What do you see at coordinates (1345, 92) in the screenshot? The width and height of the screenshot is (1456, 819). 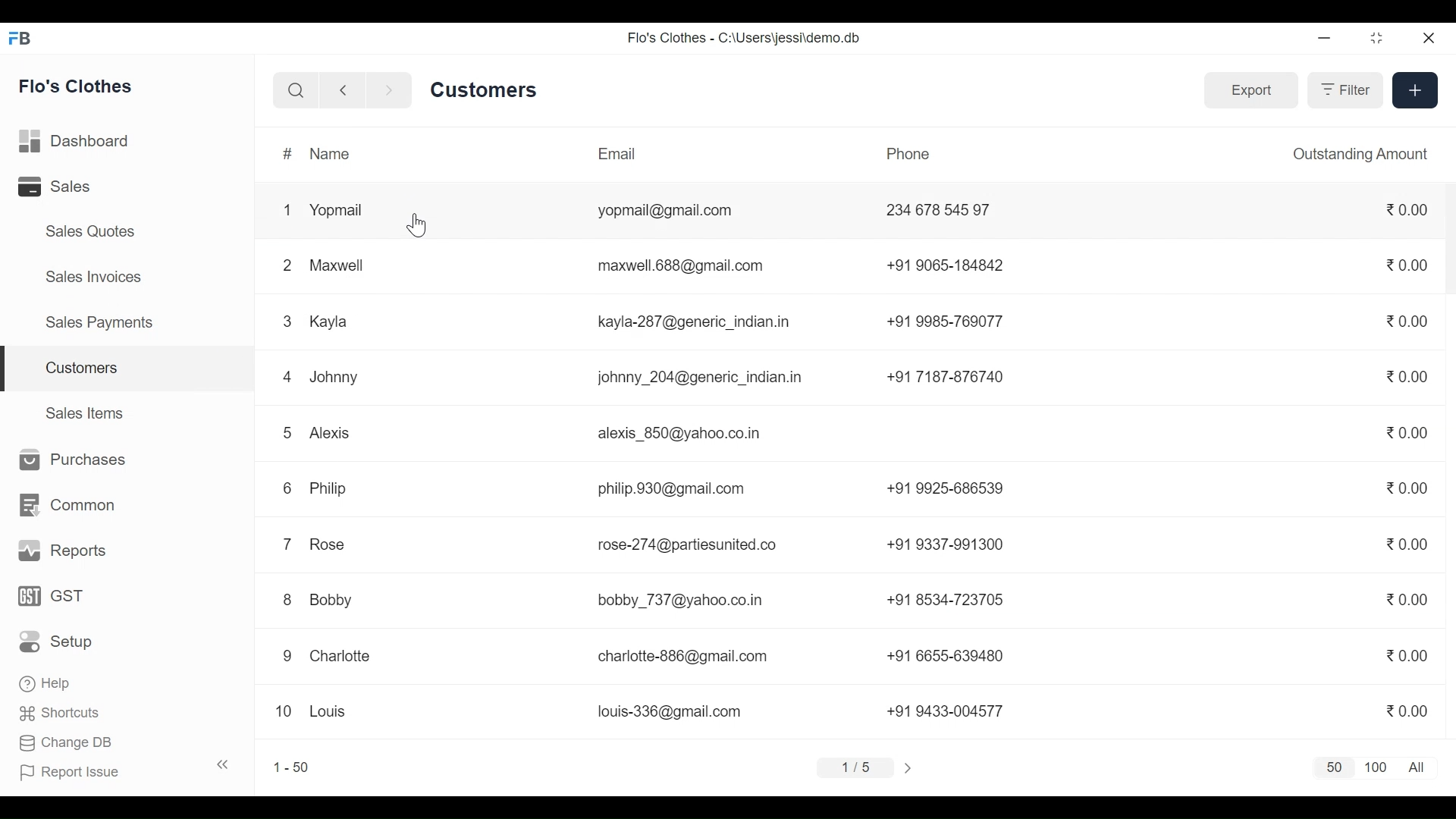 I see `Filter` at bounding box center [1345, 92].